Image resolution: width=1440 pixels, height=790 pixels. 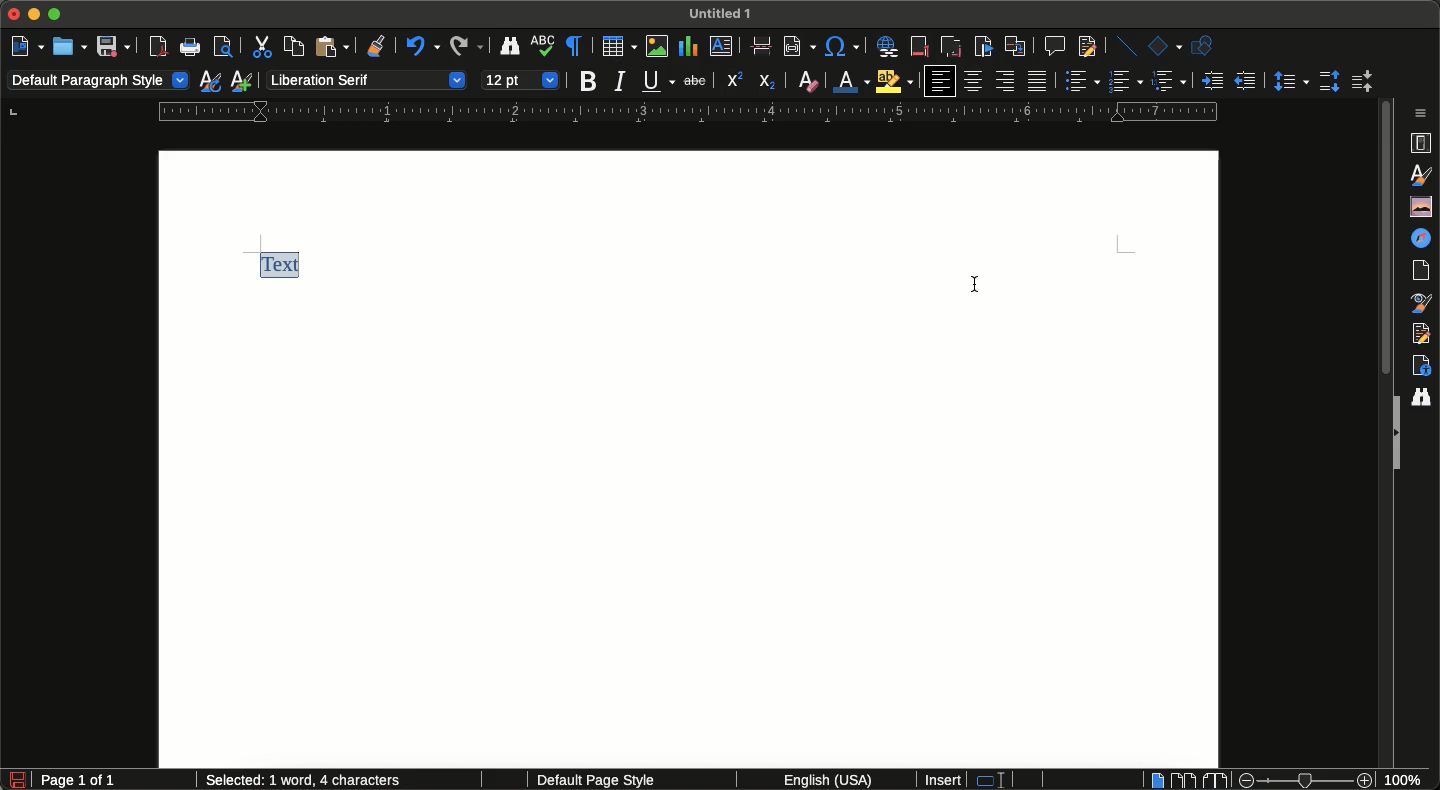 What do you see at coordinates (26, 45) in the screenshot?
I see `New` at bounding box center [26, 45].